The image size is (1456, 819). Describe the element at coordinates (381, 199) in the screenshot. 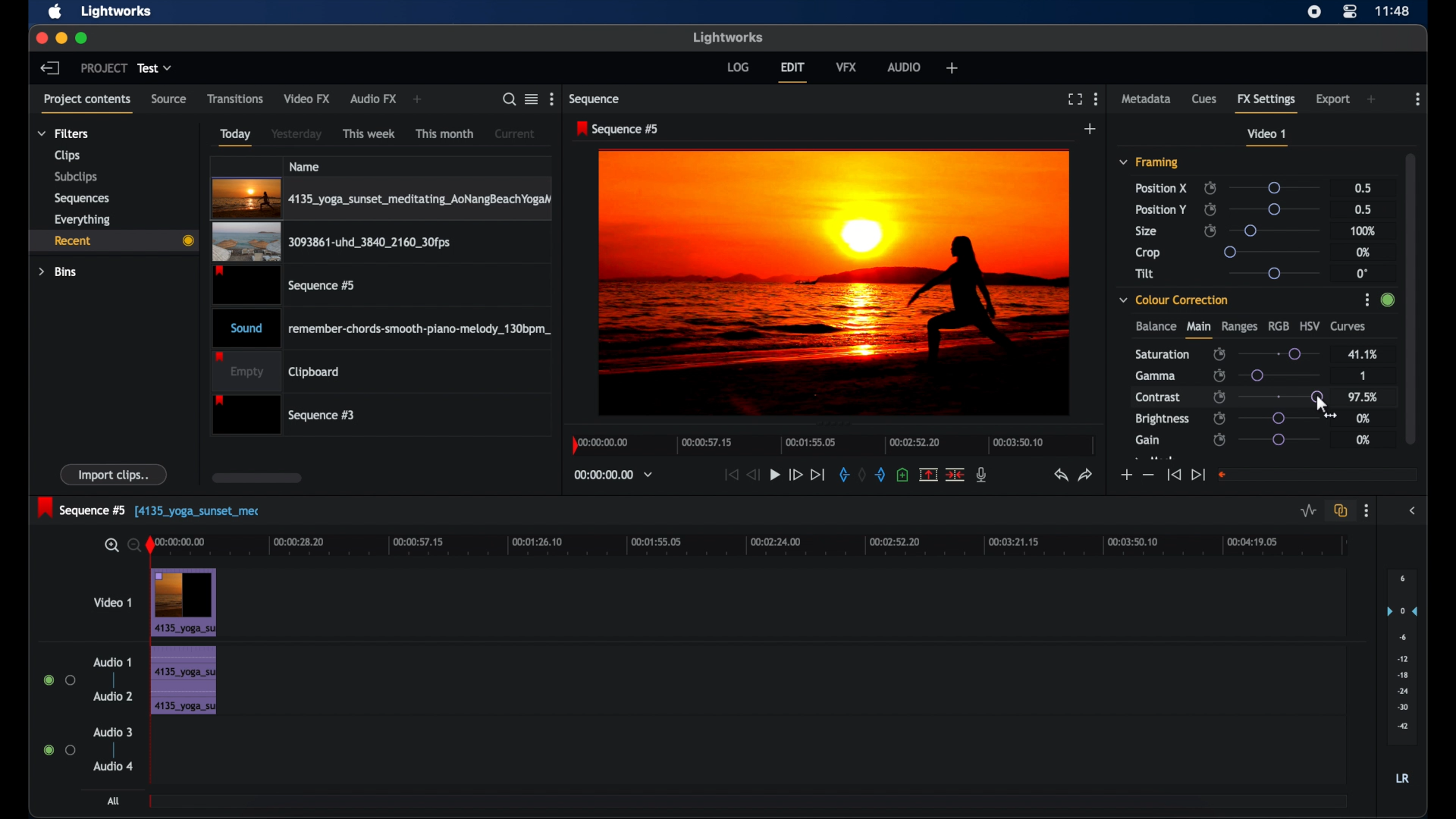

I see `video clip highlighted` at that location.